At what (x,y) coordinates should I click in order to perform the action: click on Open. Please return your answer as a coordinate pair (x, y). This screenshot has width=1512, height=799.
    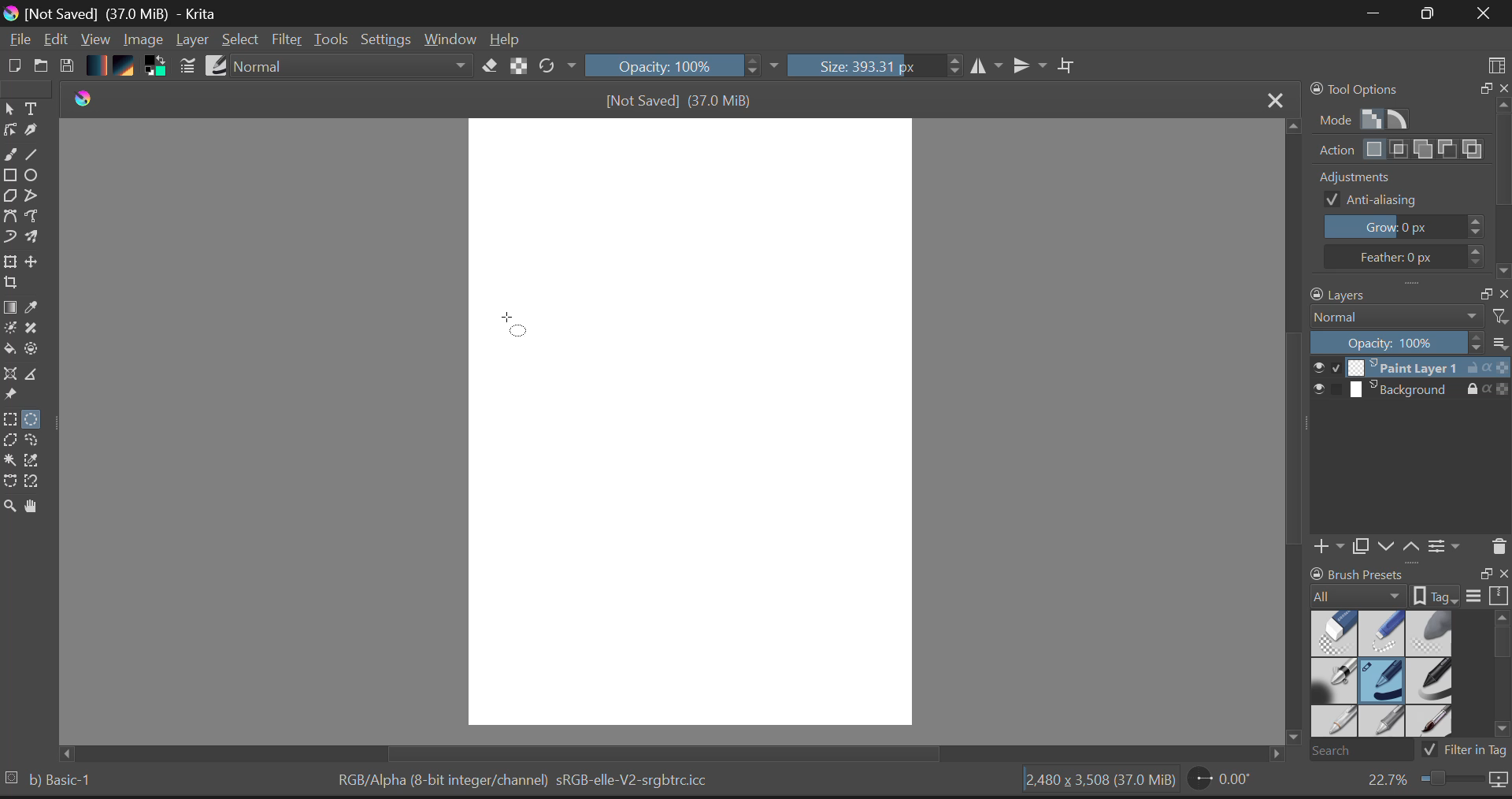
    Looking at the image, I should click on (42, 63).